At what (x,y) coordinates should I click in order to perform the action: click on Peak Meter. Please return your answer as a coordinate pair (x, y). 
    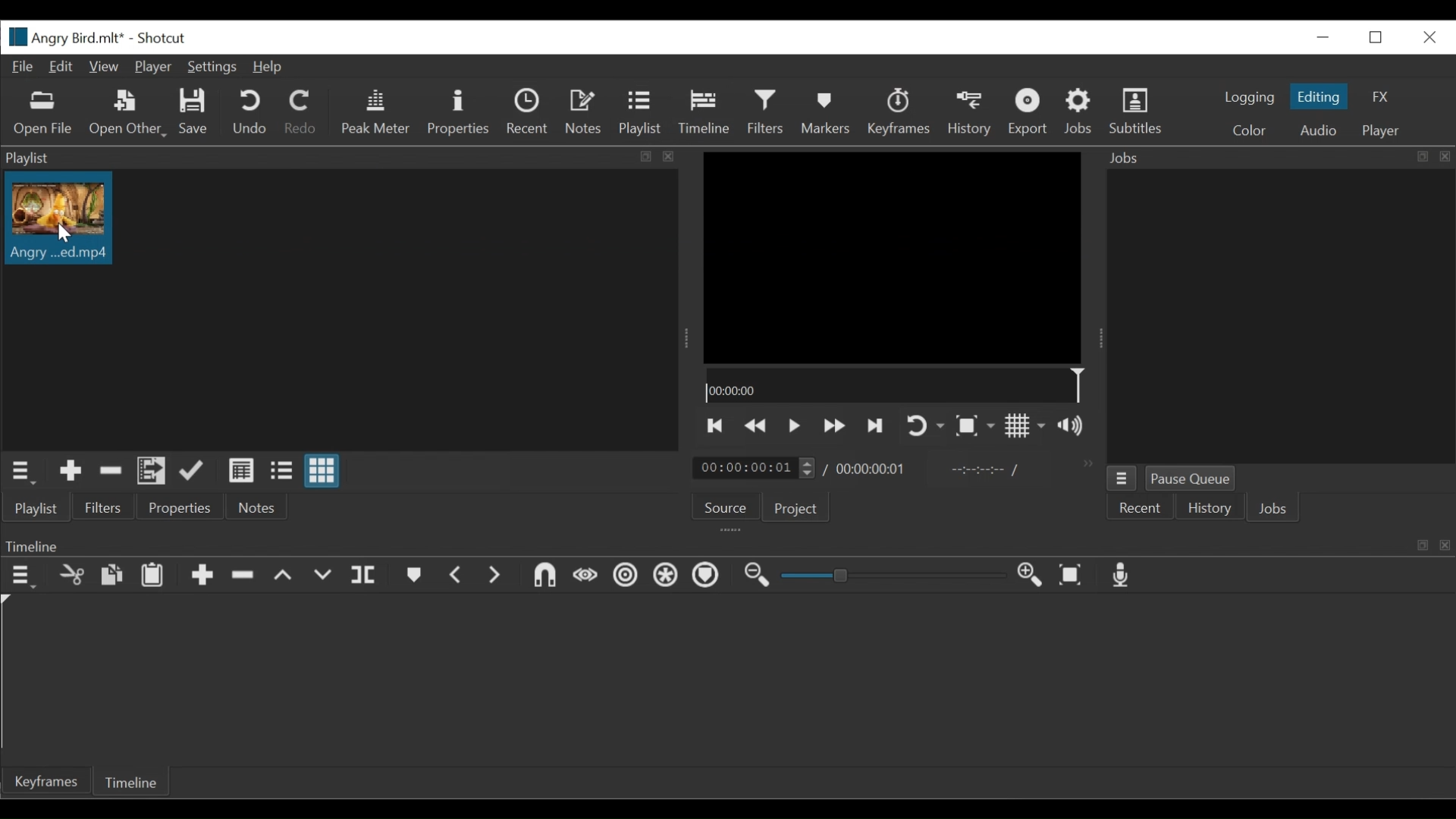
    Looking at the image, I should click on (375, 111).